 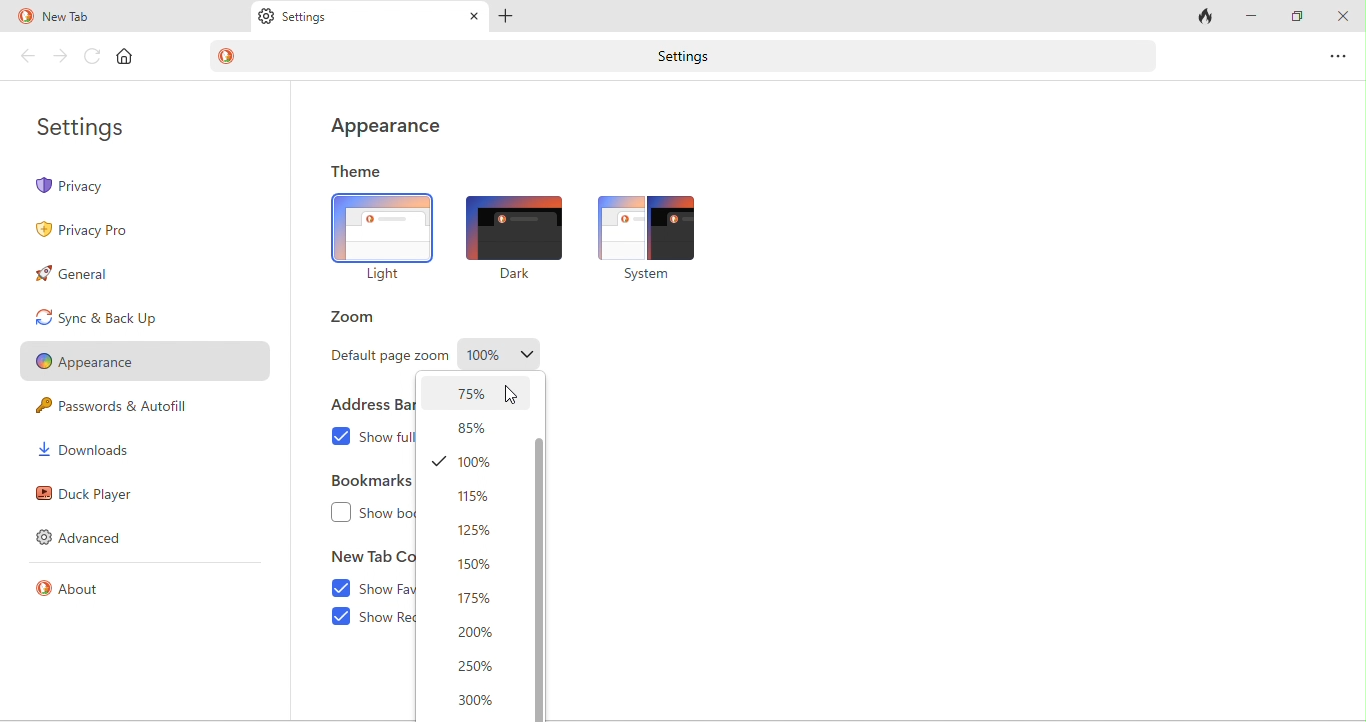 What do you see at coordinates (98, 18) in the screenshot?
I see `new tab` at bounding box center [98, 18].